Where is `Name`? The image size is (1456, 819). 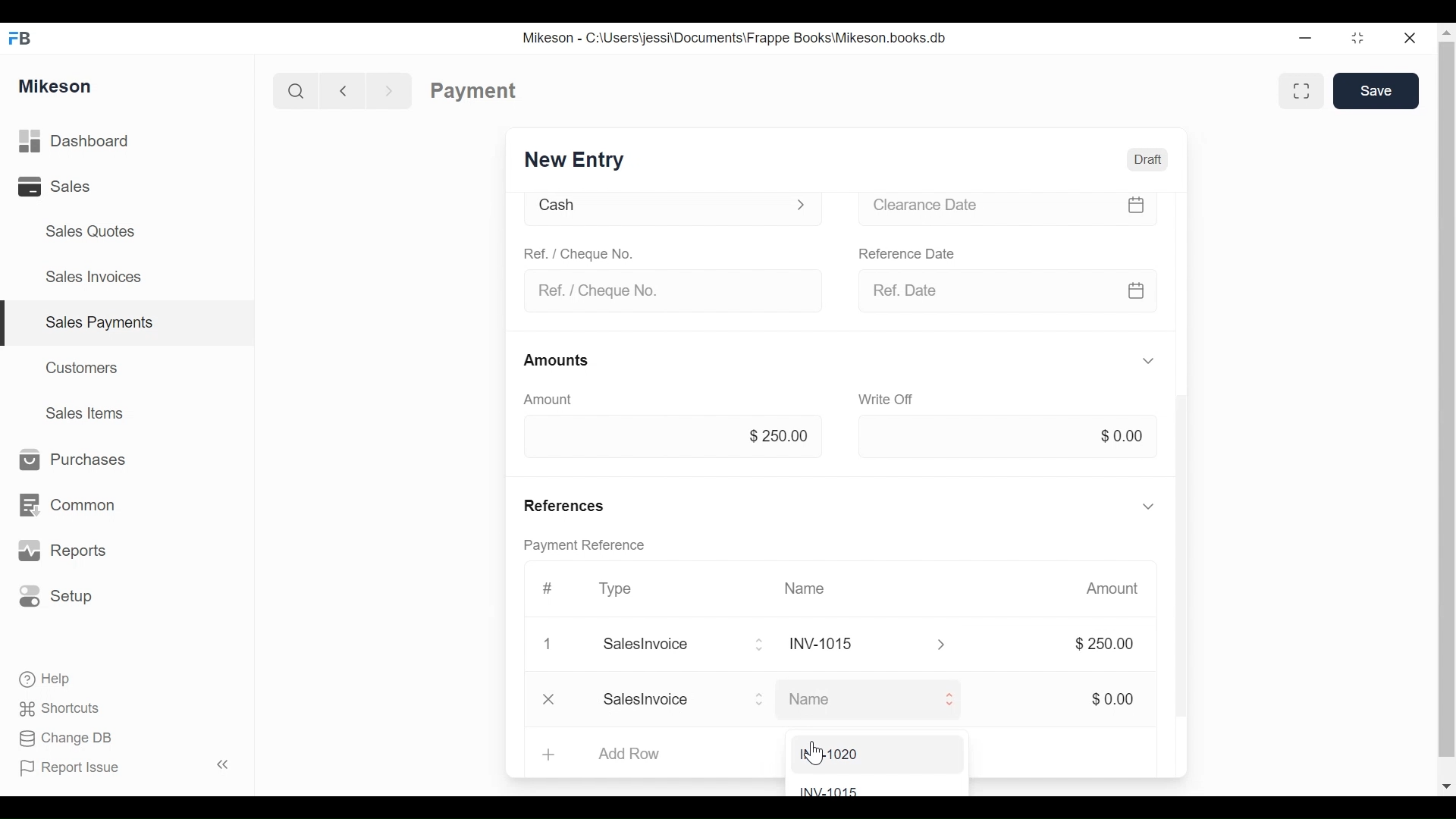 Name is located at coordinates (877, 700).